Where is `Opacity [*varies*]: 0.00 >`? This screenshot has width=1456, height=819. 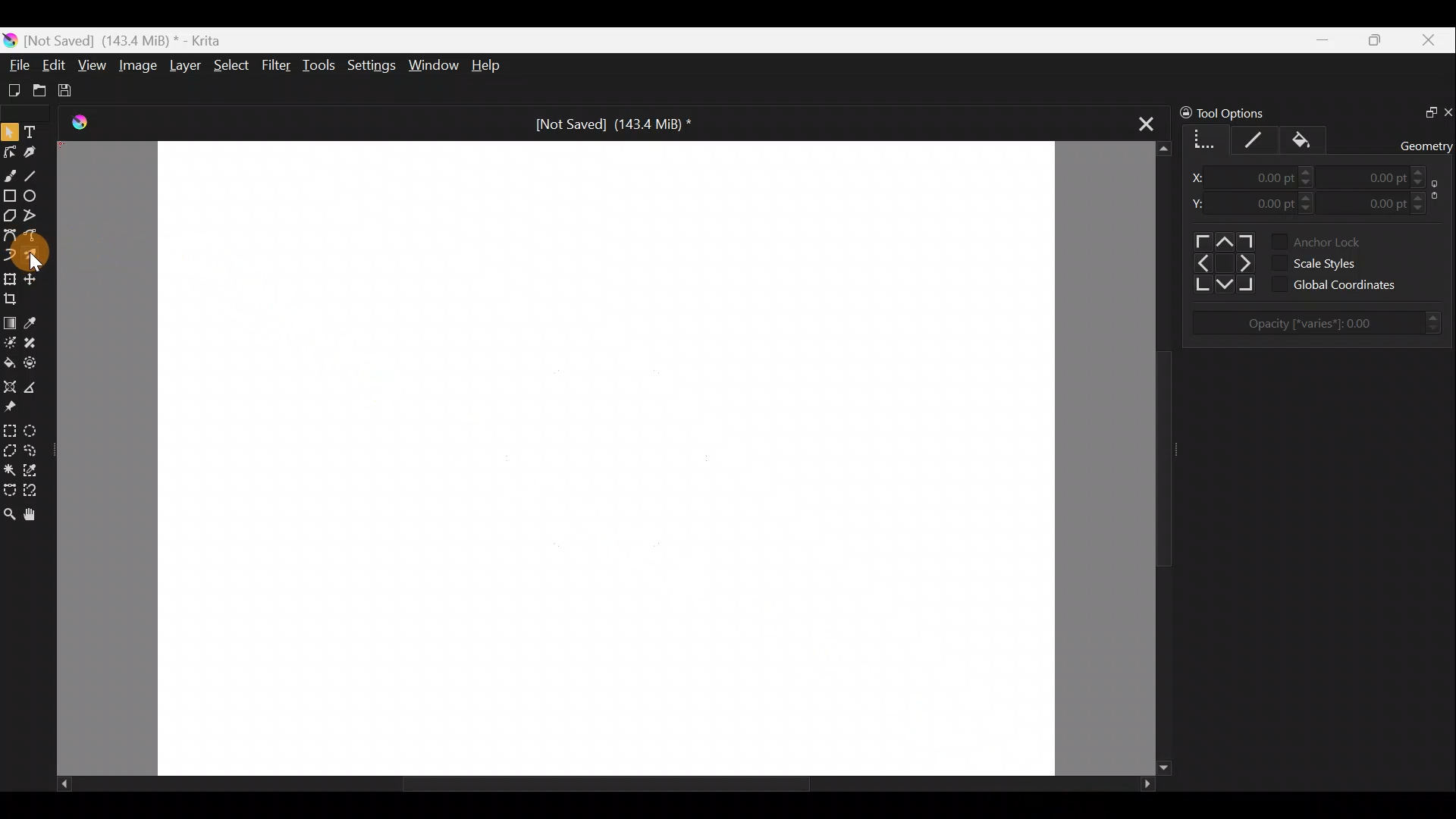 Opacity [*varies*]: 0.00 > is located at coordinates (1323, 323).